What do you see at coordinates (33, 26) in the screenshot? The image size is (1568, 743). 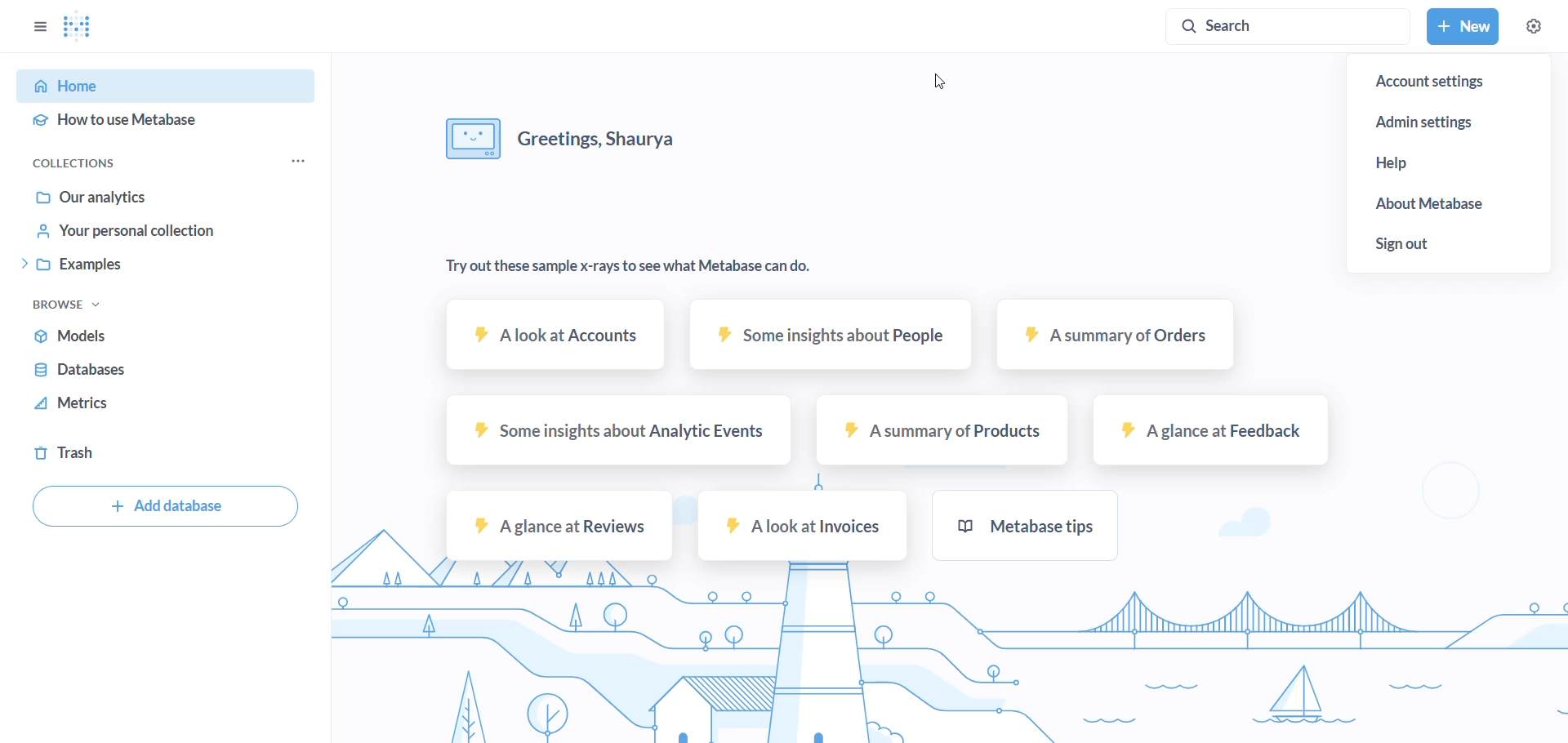 I see `OPTIONS` at bounding box center [33, 26].